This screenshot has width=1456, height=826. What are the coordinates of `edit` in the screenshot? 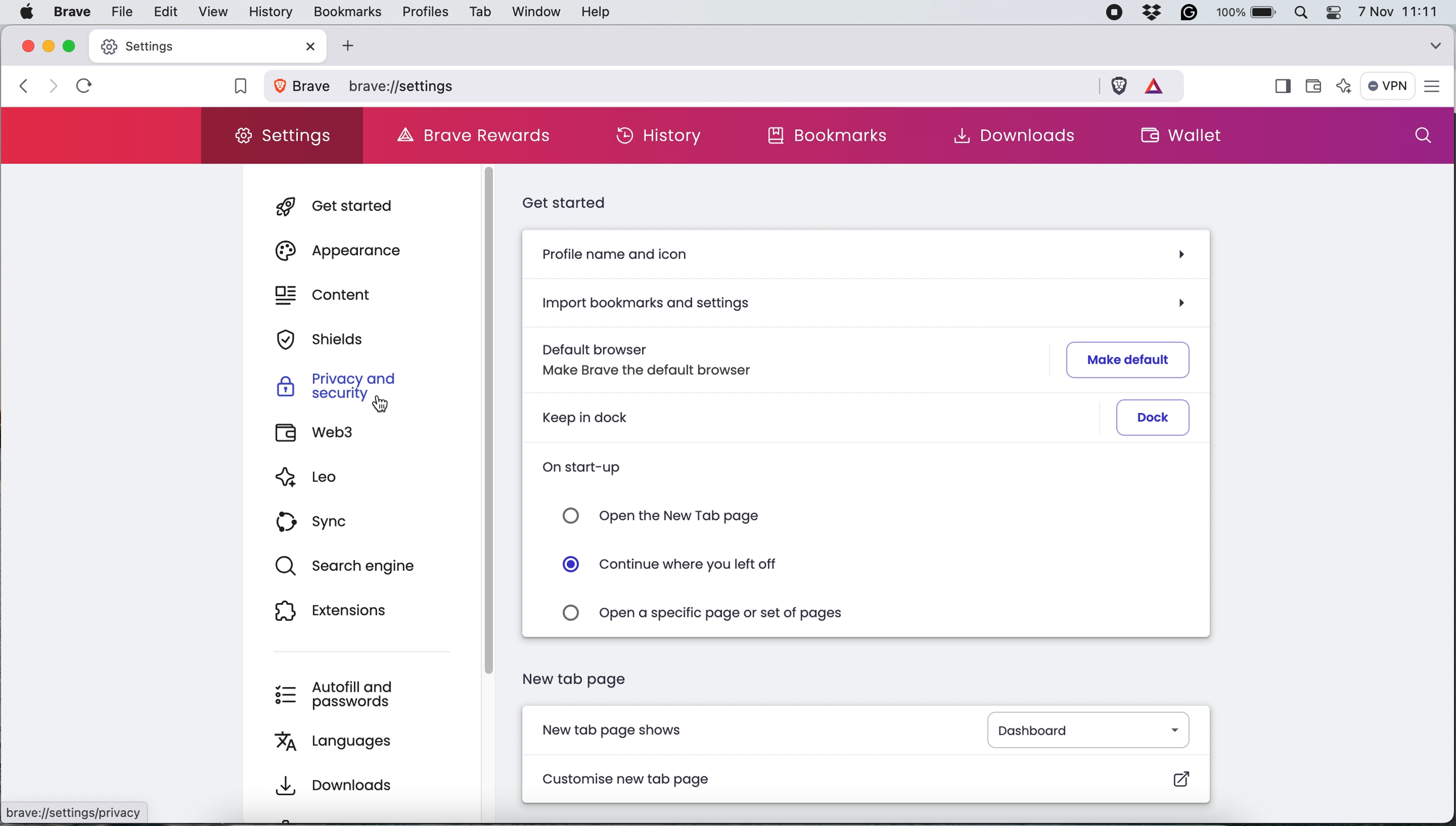 It's located at (164, 11).